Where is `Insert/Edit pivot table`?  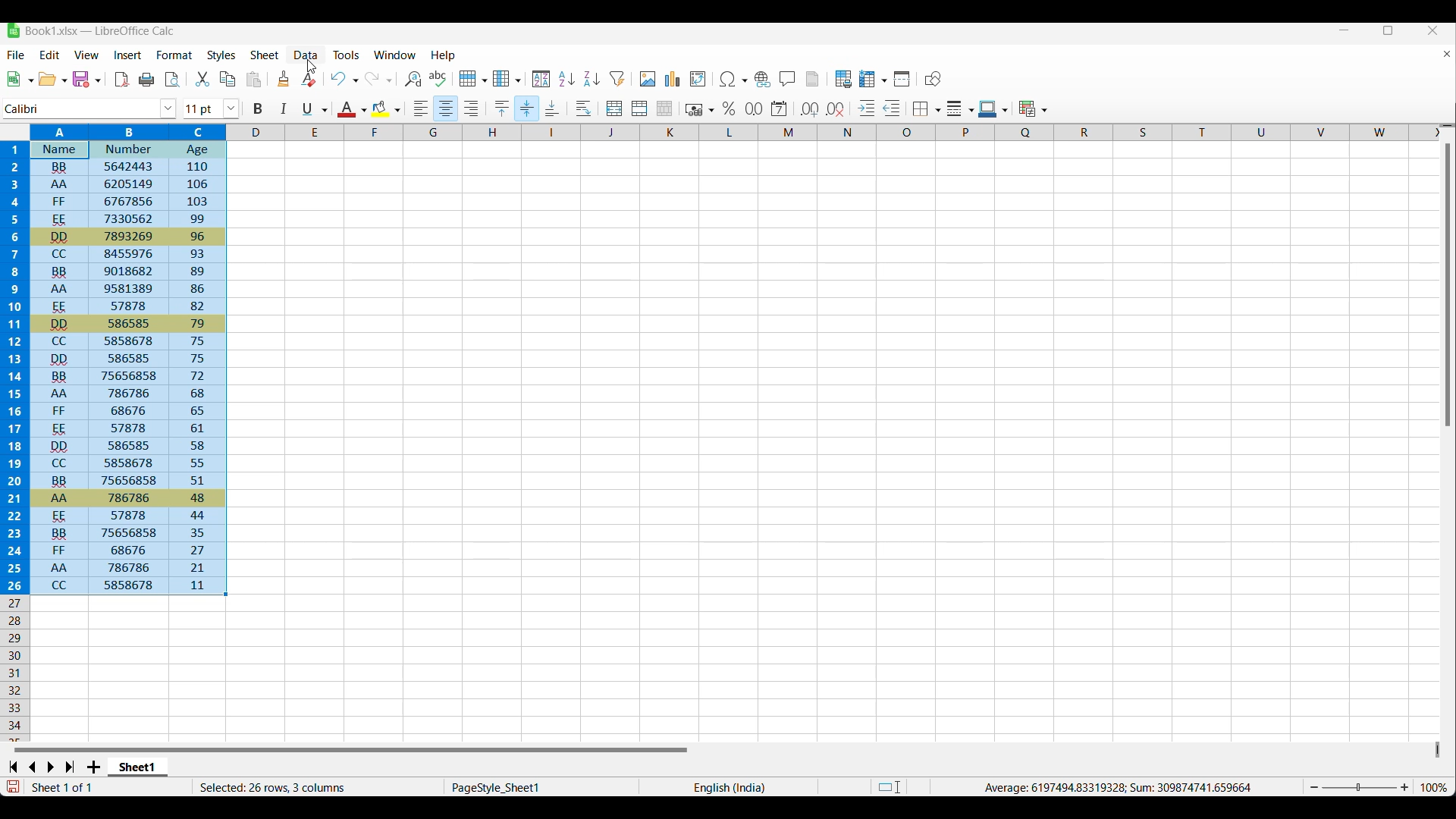 Insert/Edit pivot table is located at coordinates (698, 79).